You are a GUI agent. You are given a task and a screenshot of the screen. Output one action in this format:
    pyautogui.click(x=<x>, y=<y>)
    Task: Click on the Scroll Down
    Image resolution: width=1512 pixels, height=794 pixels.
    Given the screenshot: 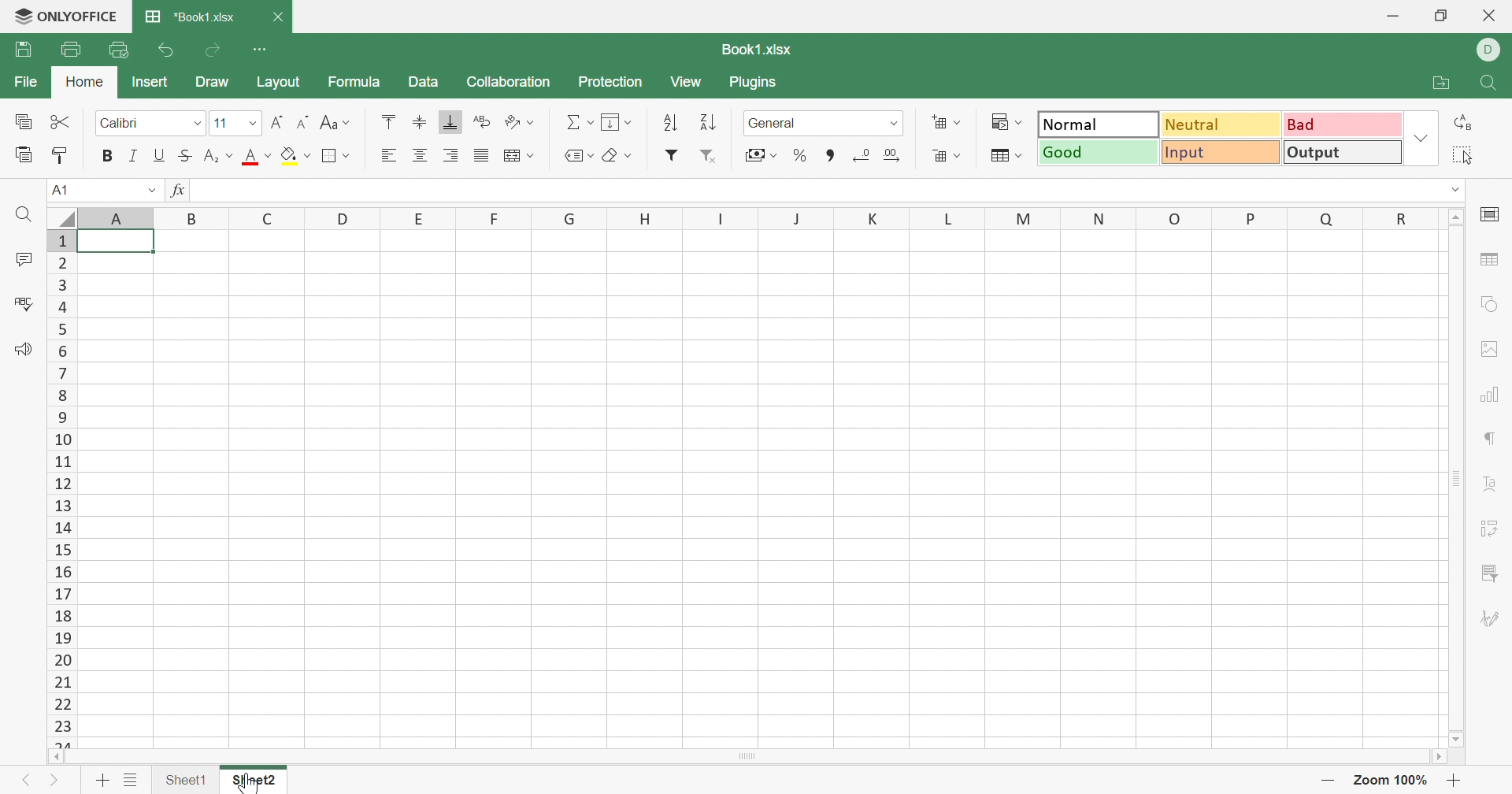 What is the action you would take?
    pyautogui.click(x=1458, y=740)
    